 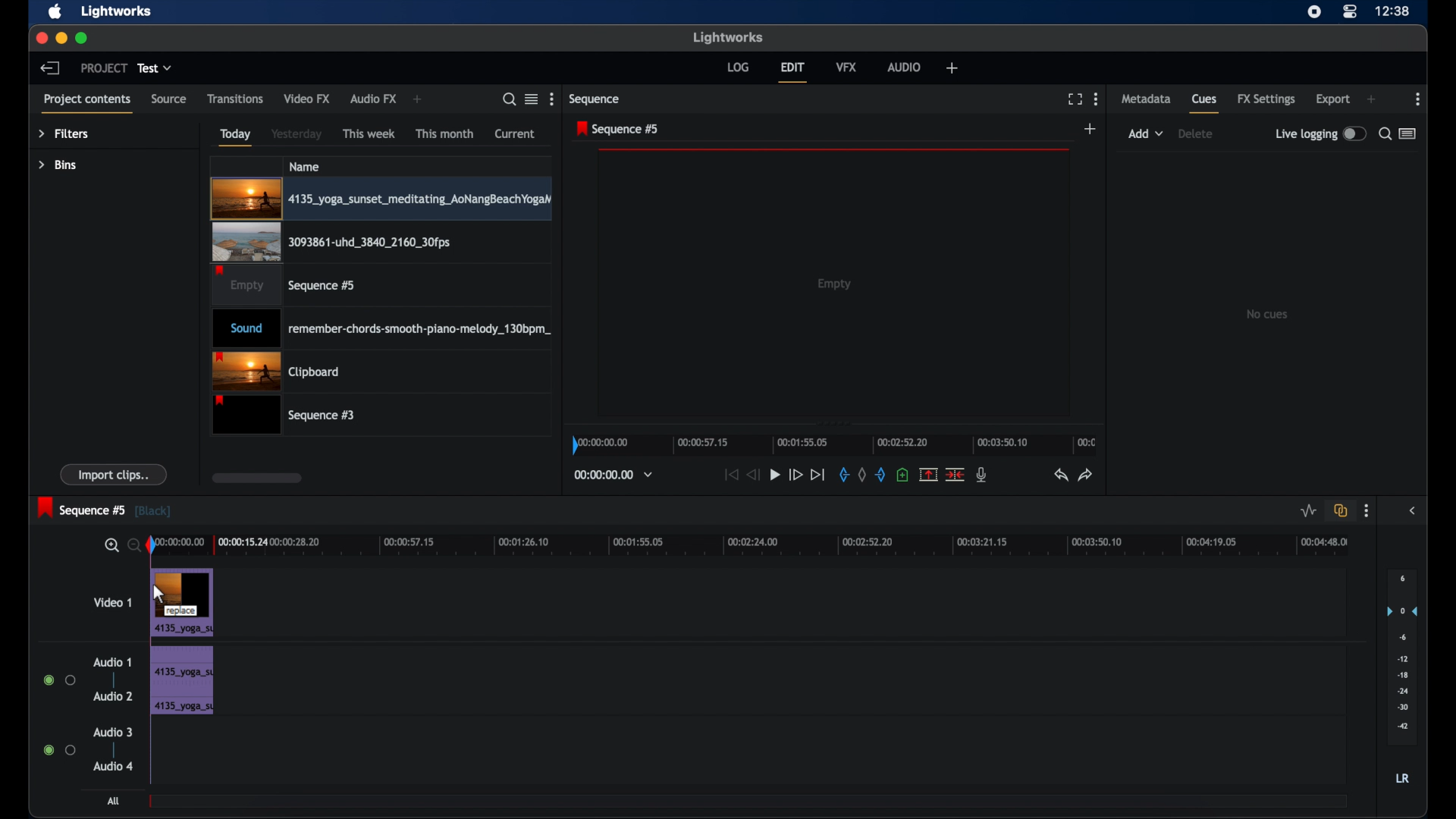 What do you see at coordinates (381, 328) in the screenshot?
I see `audio clip` at bounding box center [381, 328].